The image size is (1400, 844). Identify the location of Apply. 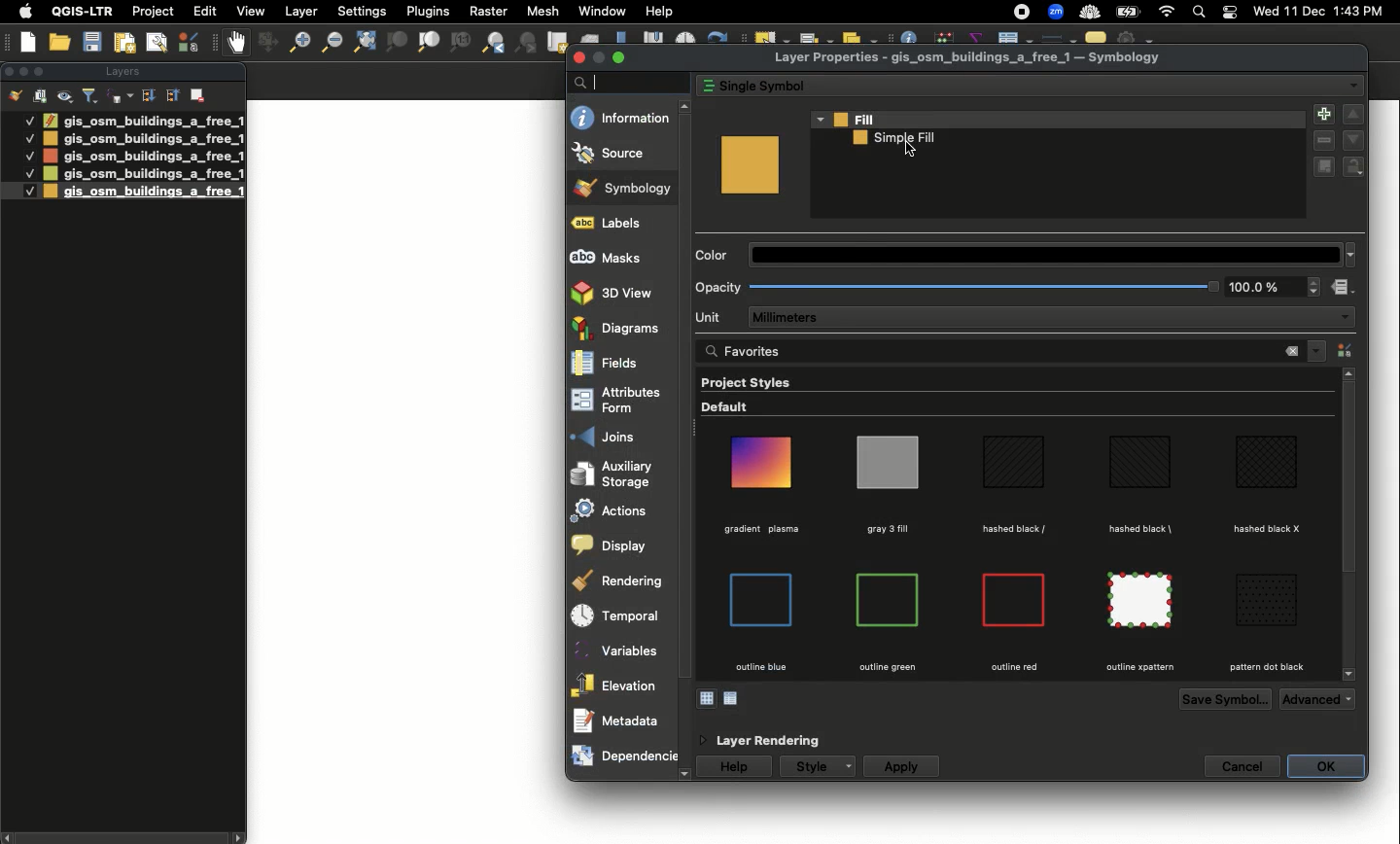
(903, 766).